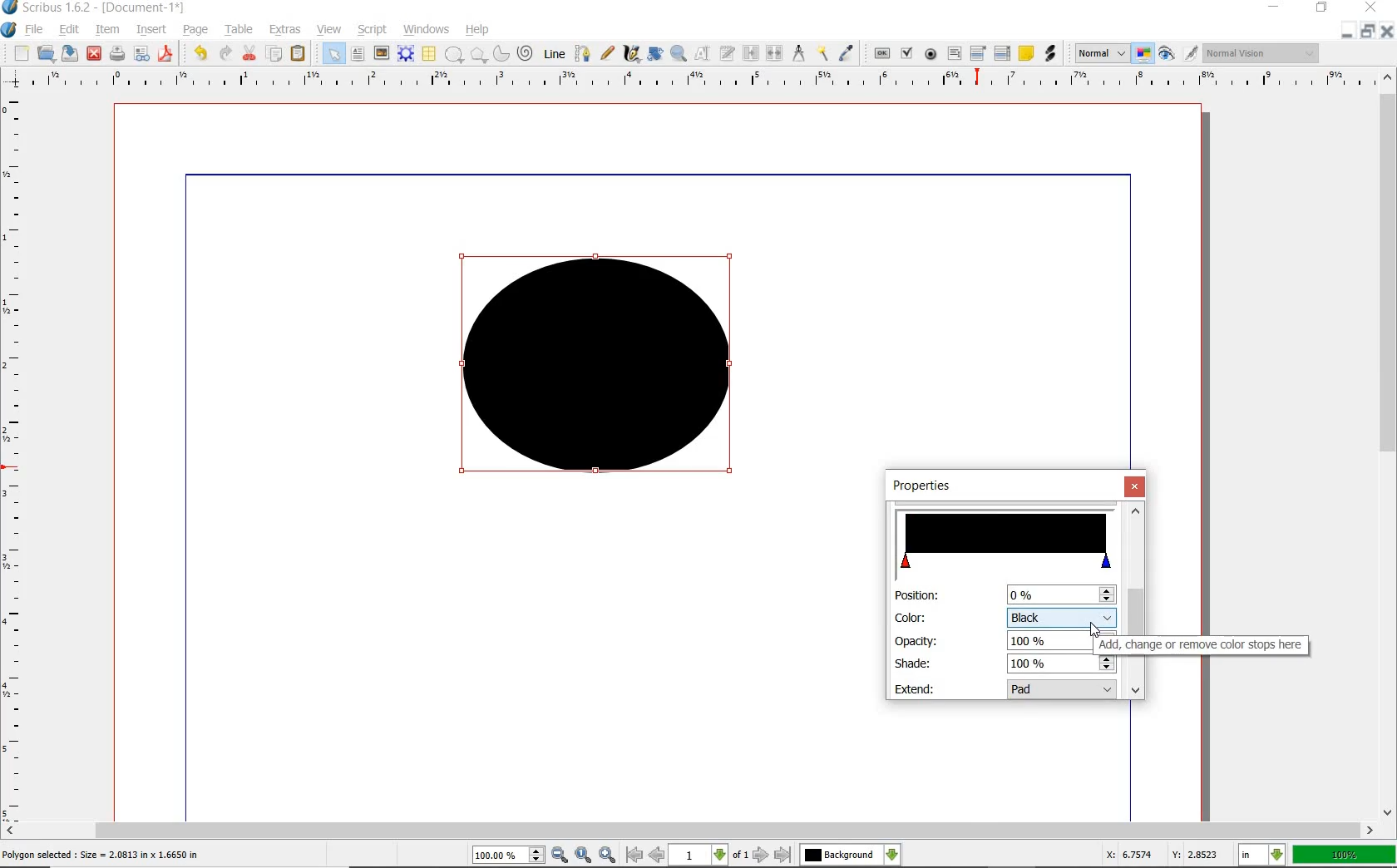 This screenshot has width=1397, height=868. What do you see at coordinates (428, 54) in the screenshot?
I see `TABLE` at bounding box center [428, 54].